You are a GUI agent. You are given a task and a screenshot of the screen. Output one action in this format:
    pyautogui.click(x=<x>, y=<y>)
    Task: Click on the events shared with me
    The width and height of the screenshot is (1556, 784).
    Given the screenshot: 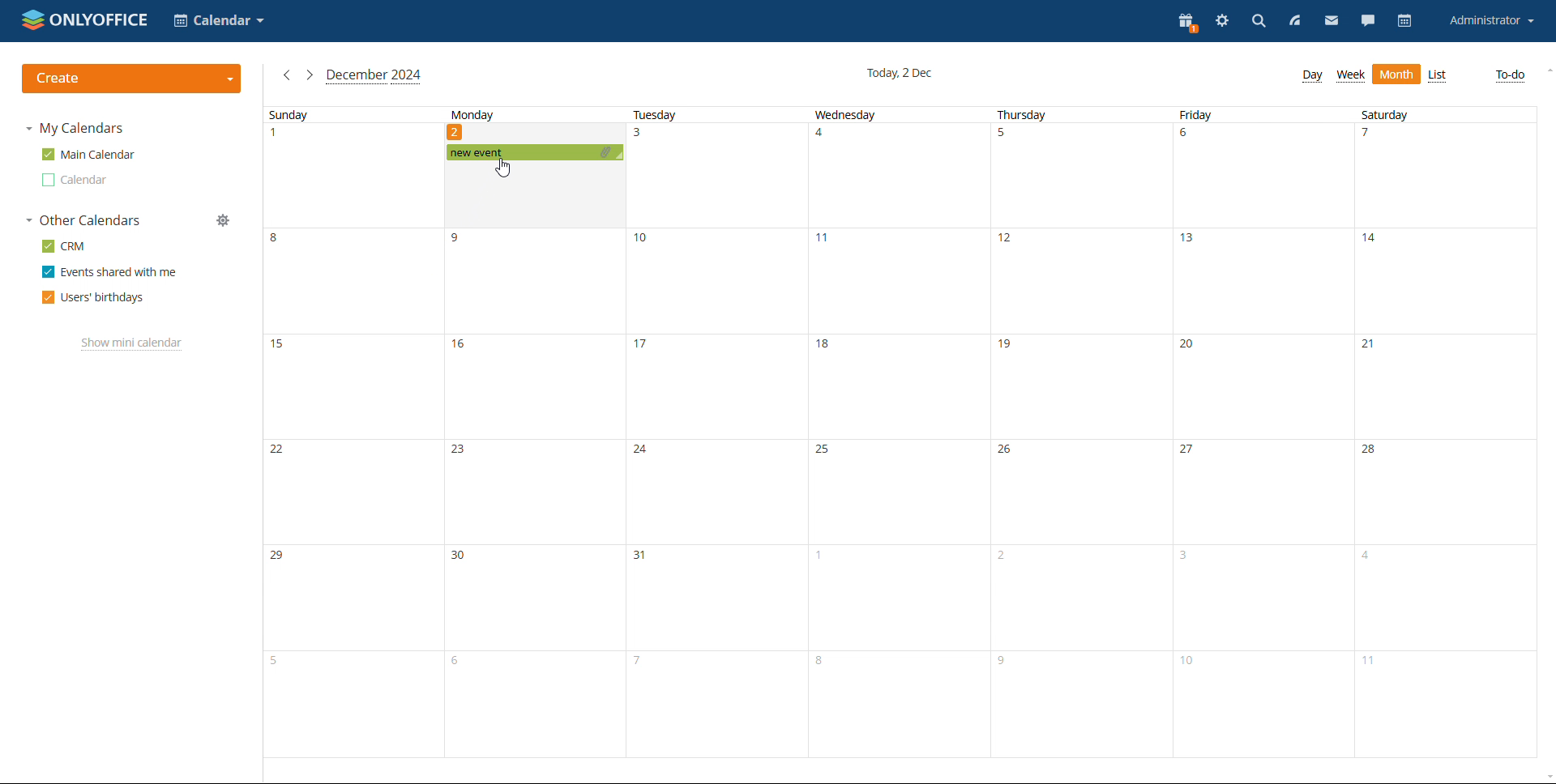 What is the action you would take?
    pyautogui.click(x=110, y=271)
    